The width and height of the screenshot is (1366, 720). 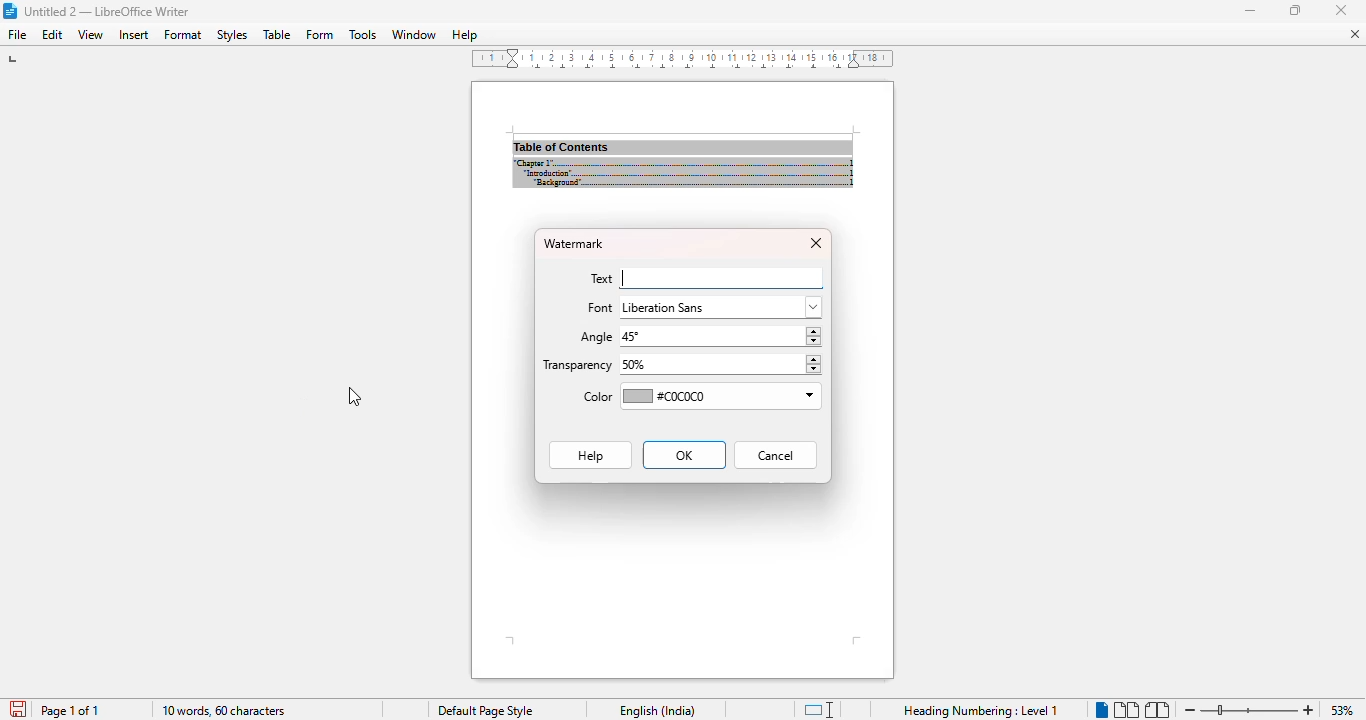 What do you see at coordinates (1156, 710) in the screenshot?
I see `book view` at bounding box center [1156, 710].